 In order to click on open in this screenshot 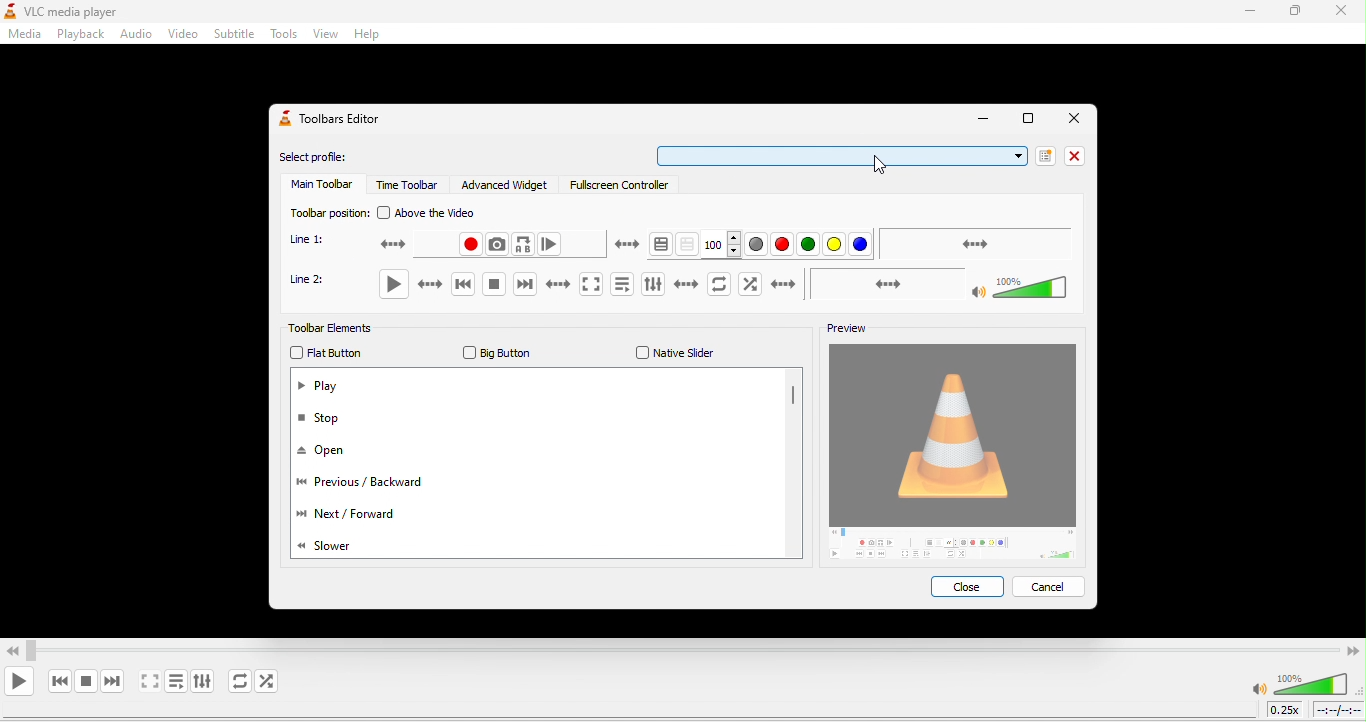, I will do `click(324, 453)`.